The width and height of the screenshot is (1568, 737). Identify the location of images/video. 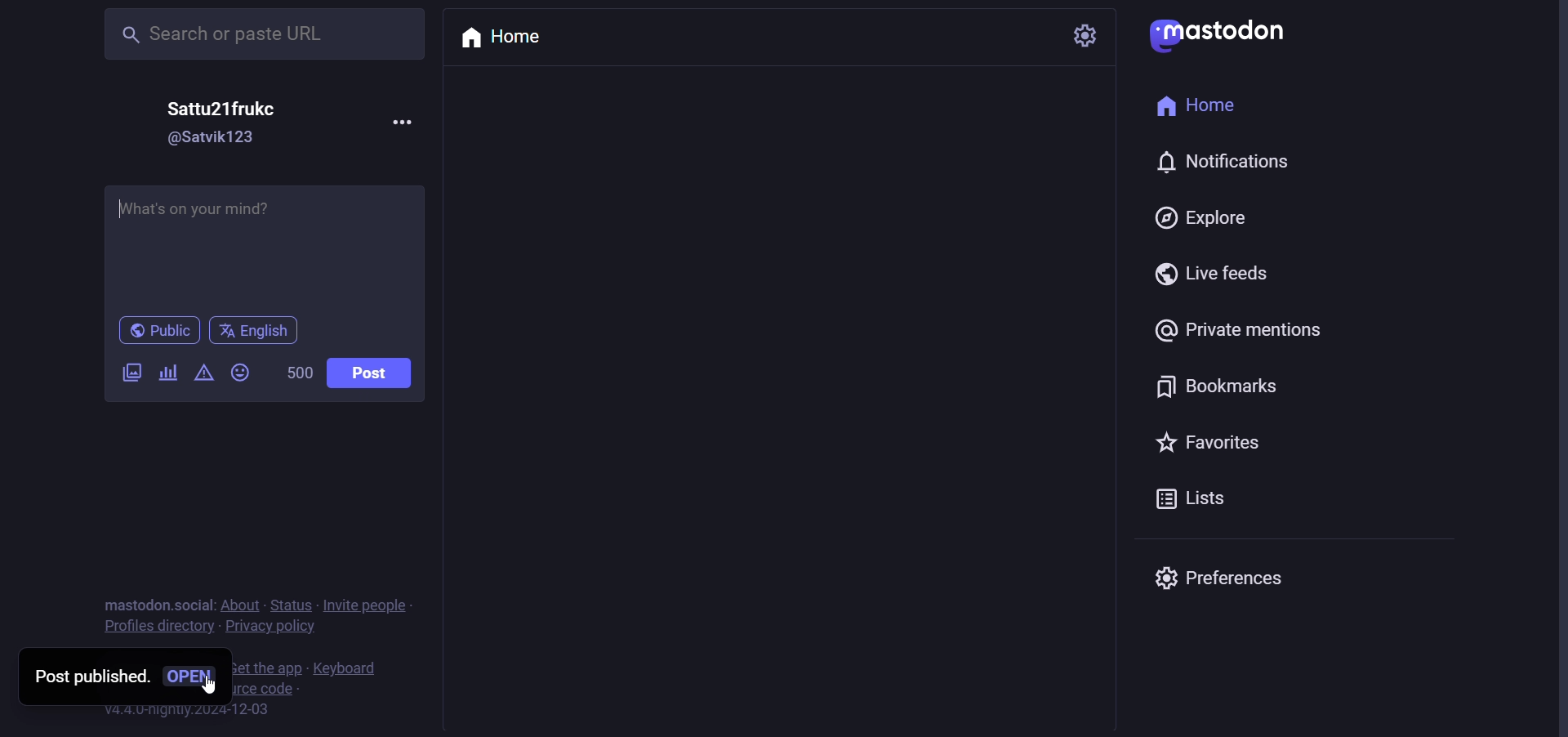
(123, 377).